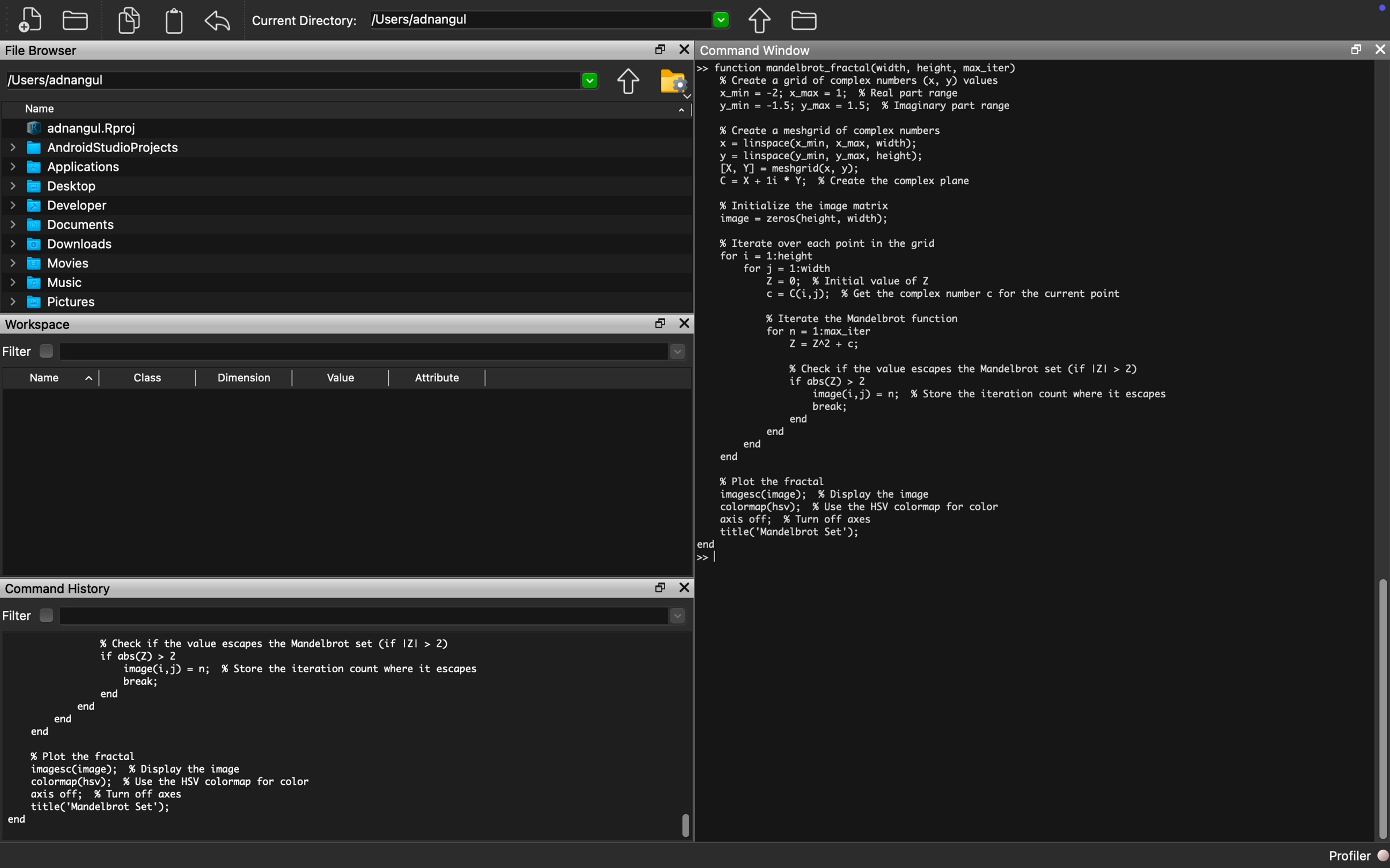  Describe the element at coordinates (41, 324) in the screenshot. I see `Workspace` at that location.